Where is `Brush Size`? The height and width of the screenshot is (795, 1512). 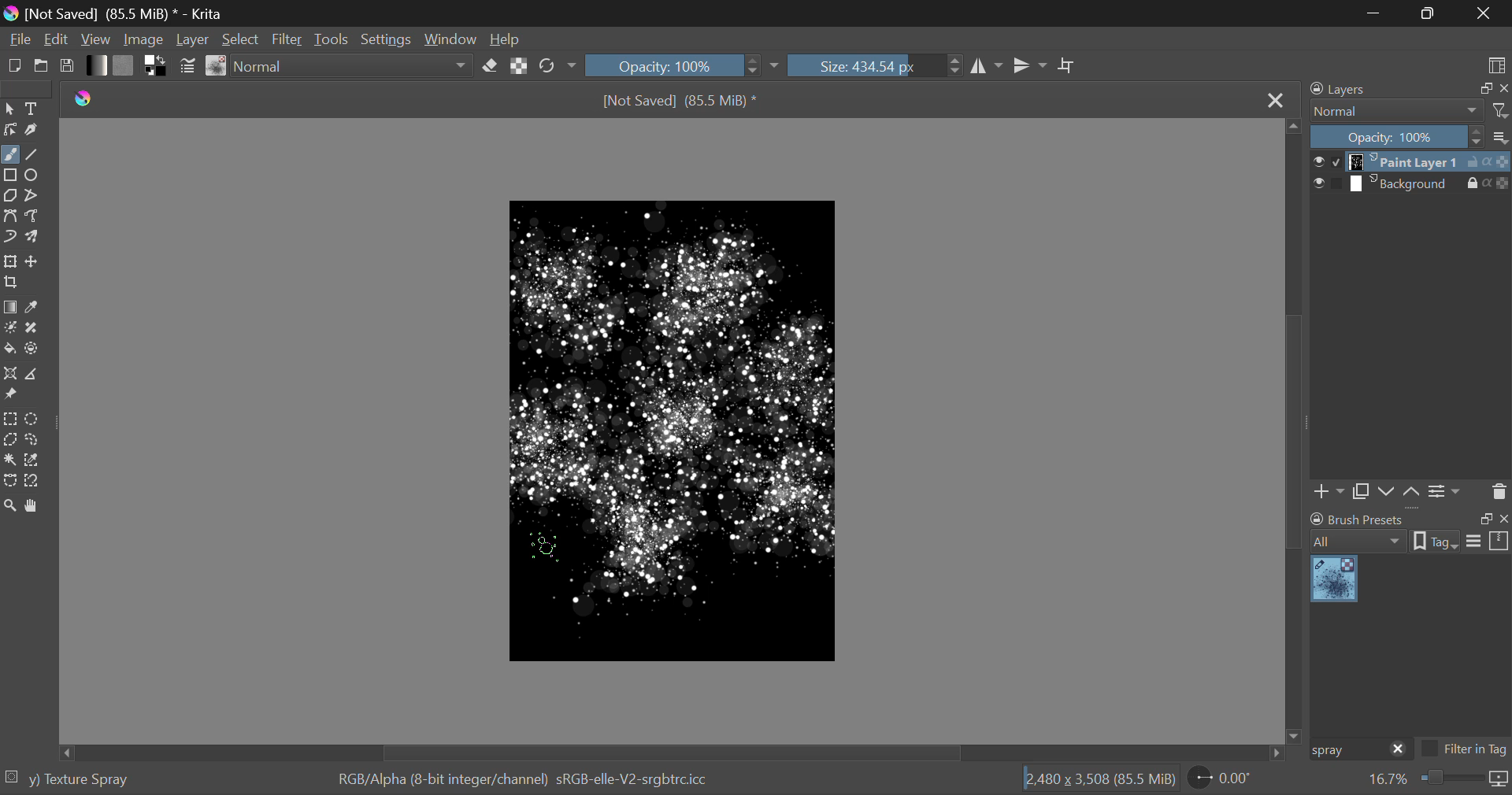 Brush Size is located at coordinates (875, 65).